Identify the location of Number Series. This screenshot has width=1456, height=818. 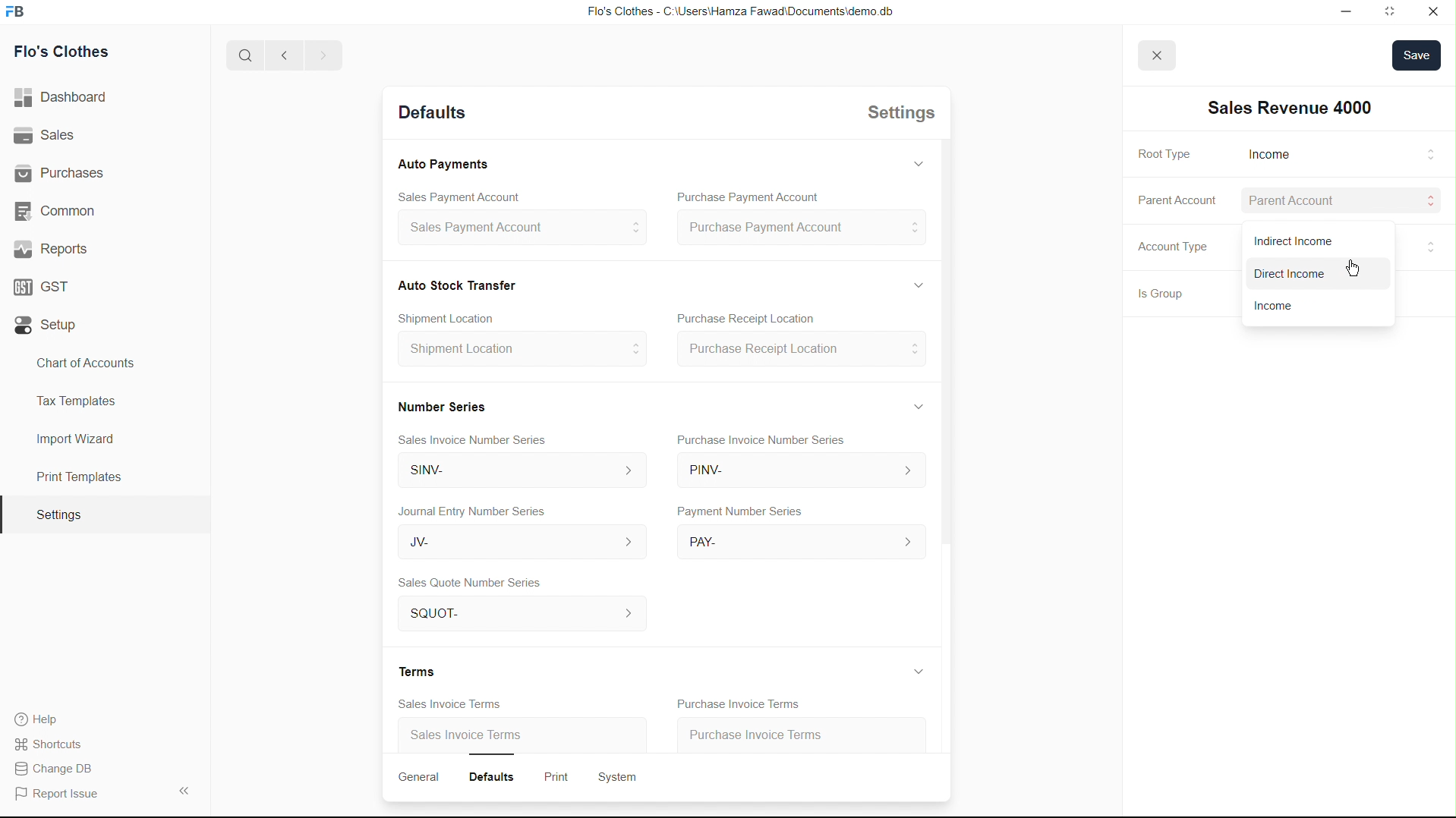
(440, 404).